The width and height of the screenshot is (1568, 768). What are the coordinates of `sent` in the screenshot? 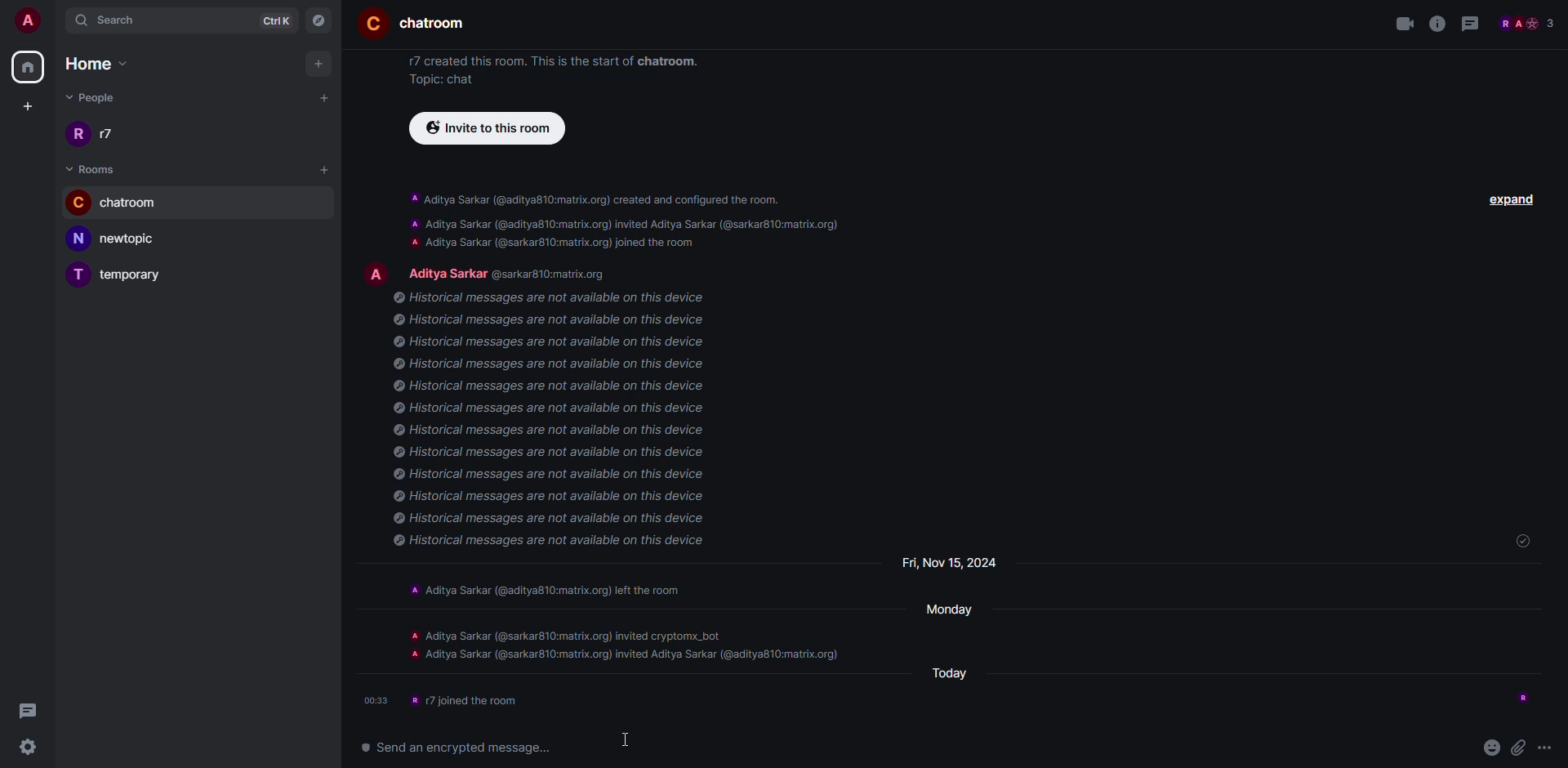 It's located at (1519, 542).